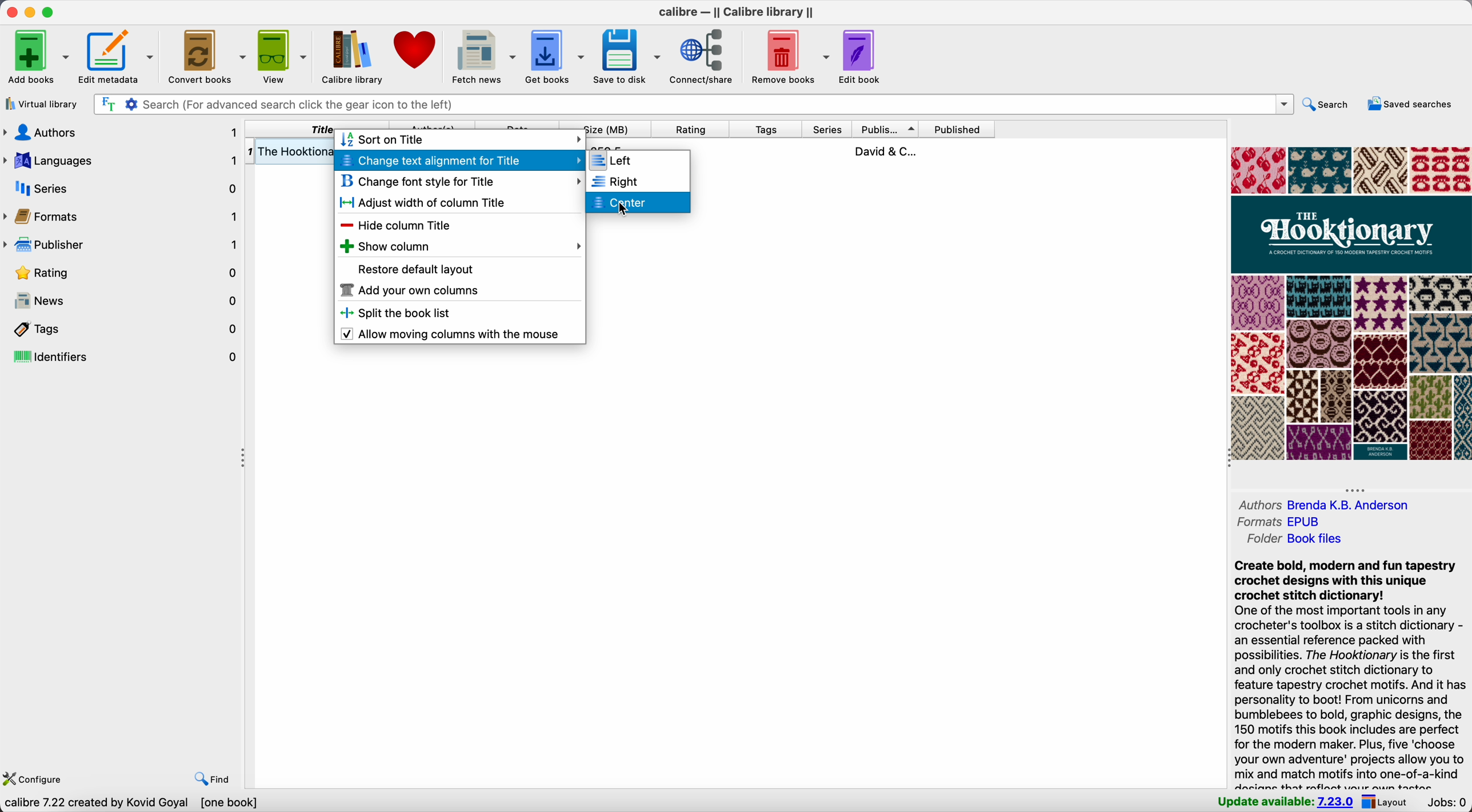 The height and width of the screenshot is (812, 1472). Describe the element at coordinates (32, 779) in the screenshot. I see `configure` at that location.